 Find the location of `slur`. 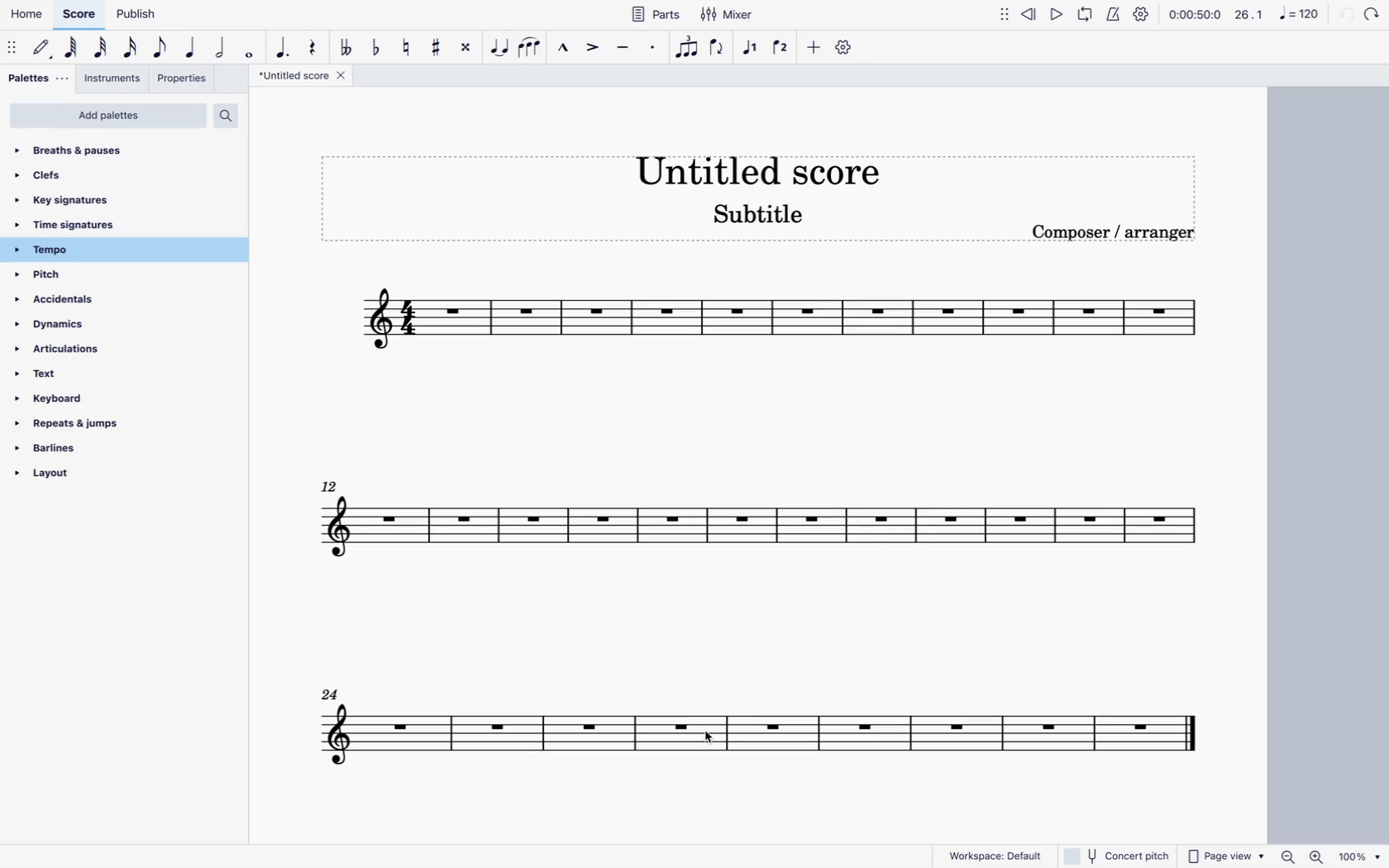

slur is located at coordinates (532, 48).